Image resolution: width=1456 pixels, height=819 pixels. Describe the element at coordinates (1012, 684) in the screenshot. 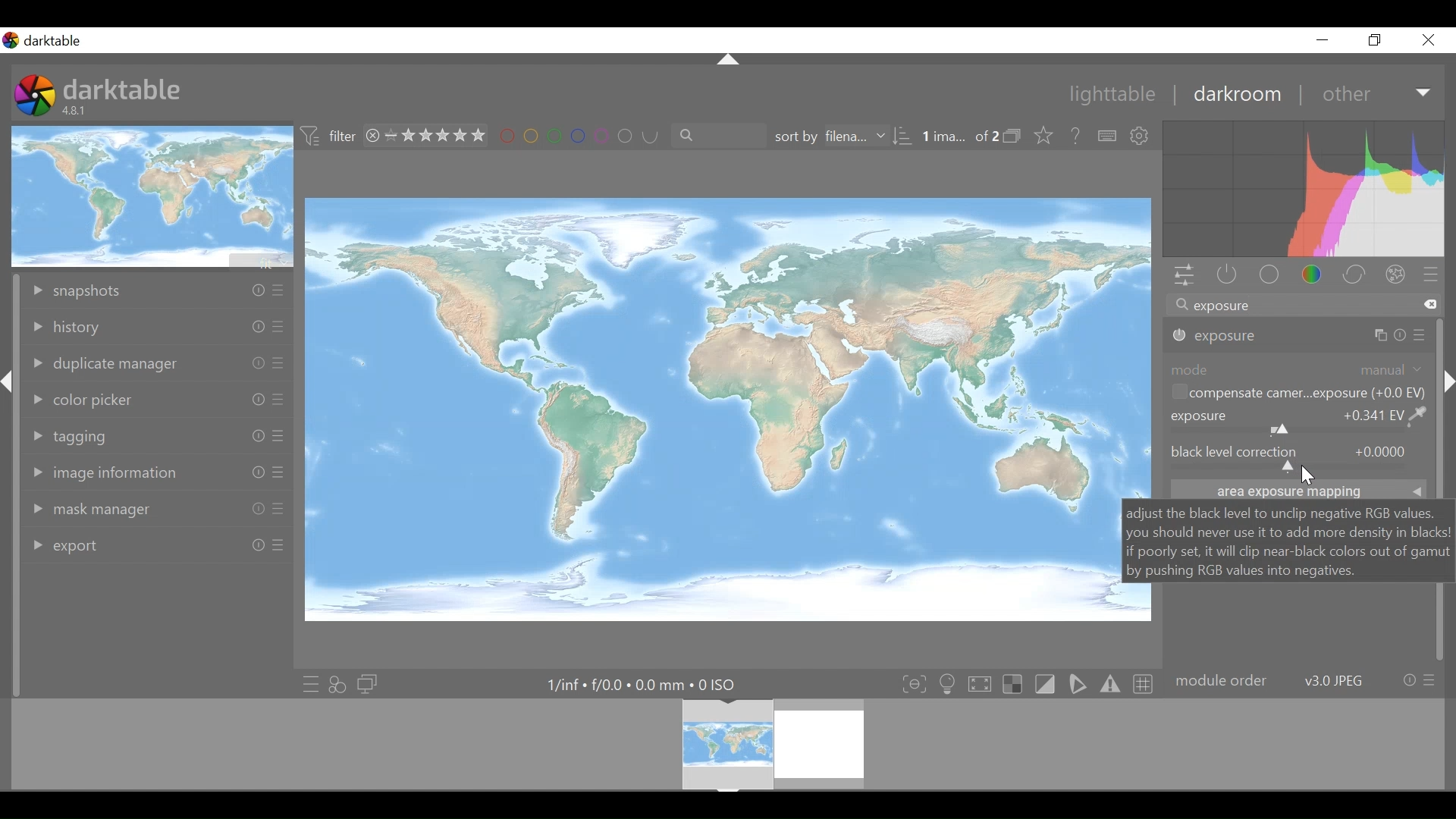

I see `toggle indication of raw overexposure` at that location.